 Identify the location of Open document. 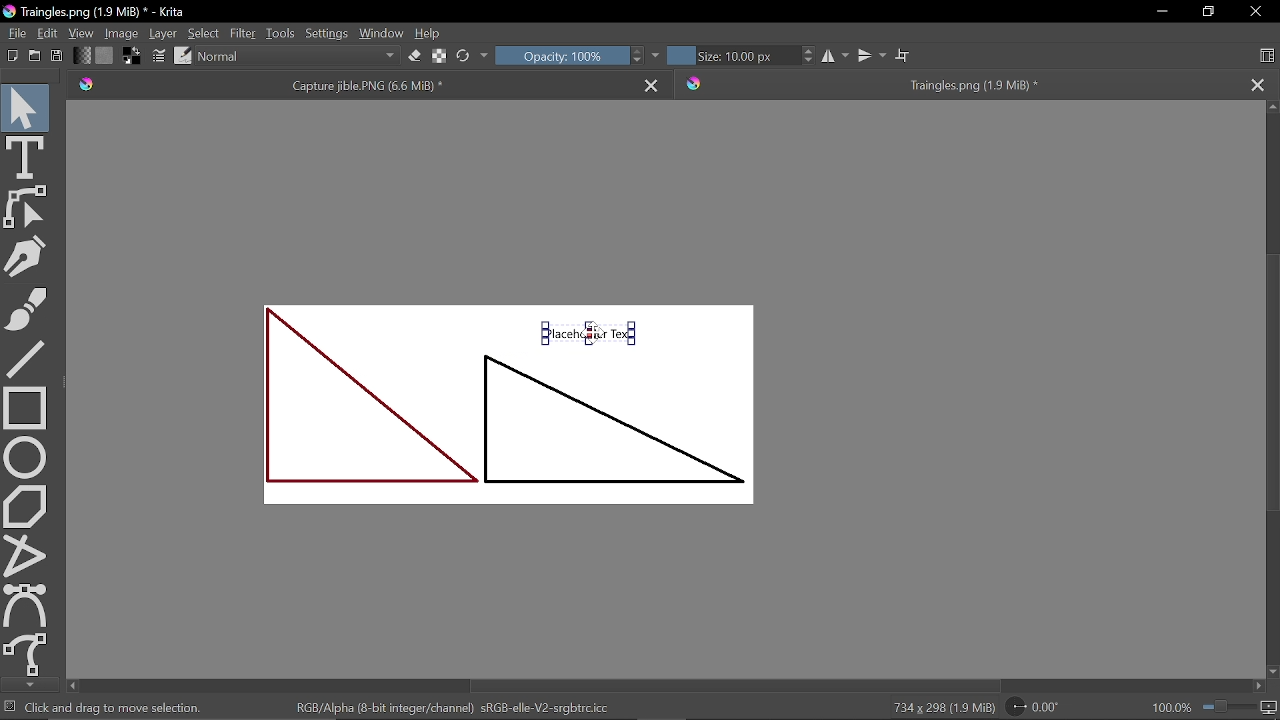
(34, 56).